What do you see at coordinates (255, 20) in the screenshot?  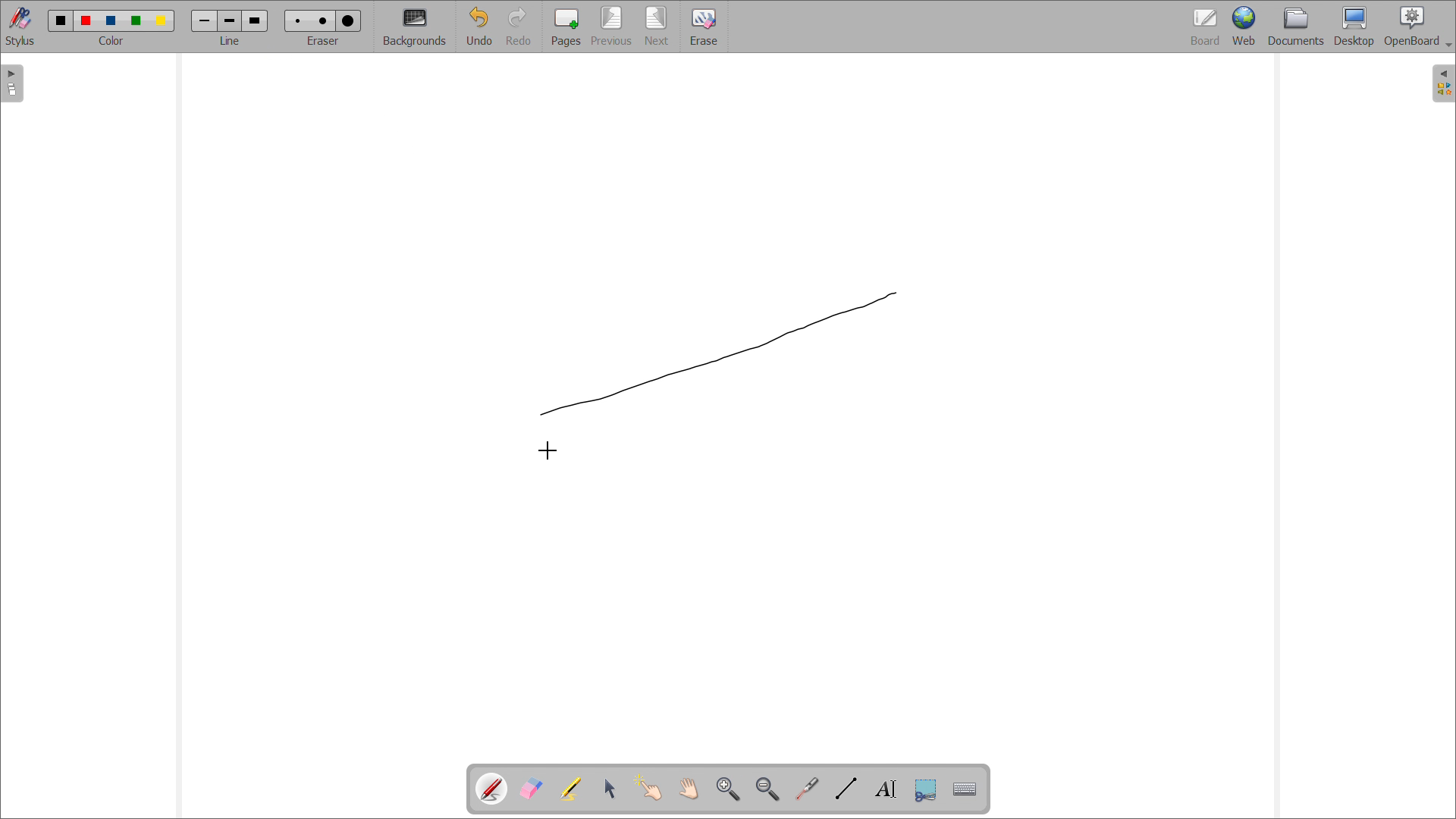 I see `line width size` at bounding box center [255, 20].